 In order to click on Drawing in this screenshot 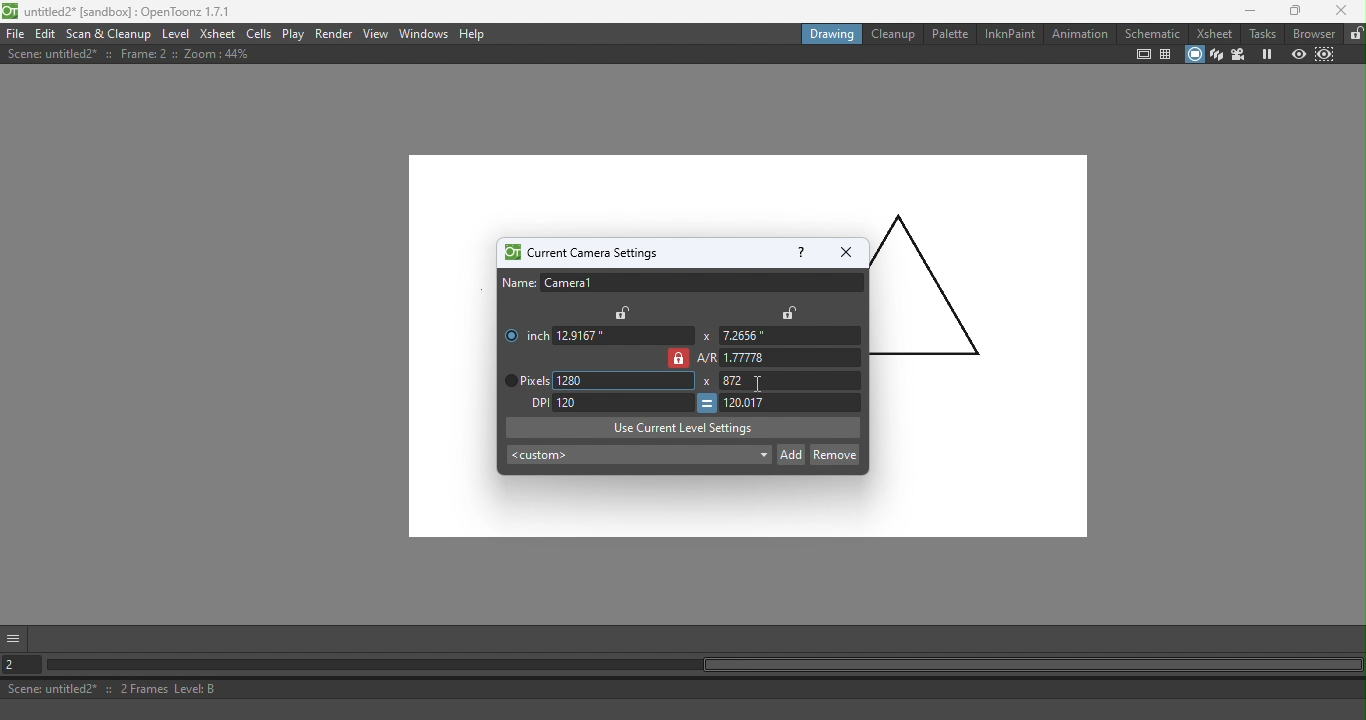, I will do `click(829, 33)`.